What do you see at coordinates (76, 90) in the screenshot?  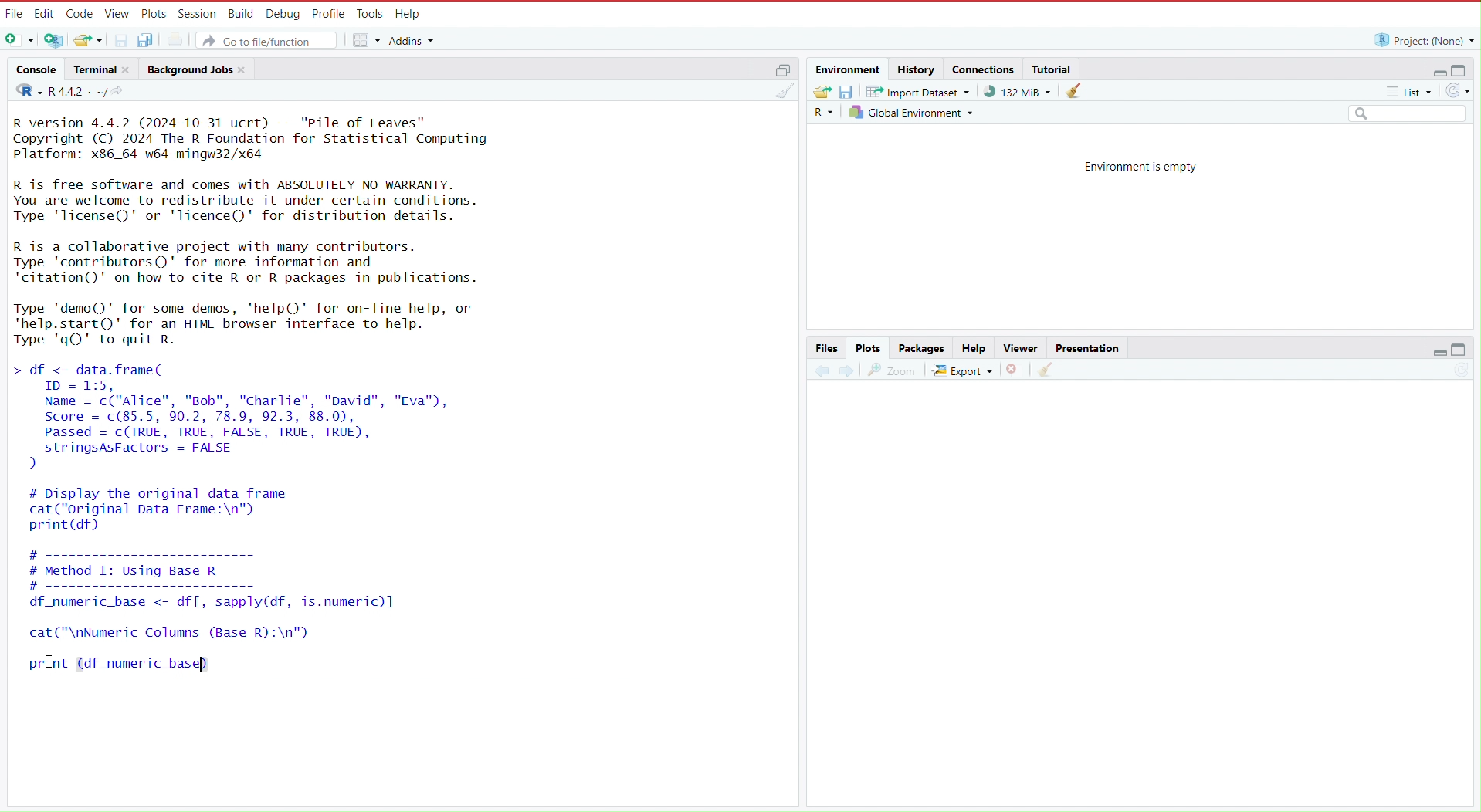 I see `R 4.4.2 . ~/` at bounding box center [76, 90].